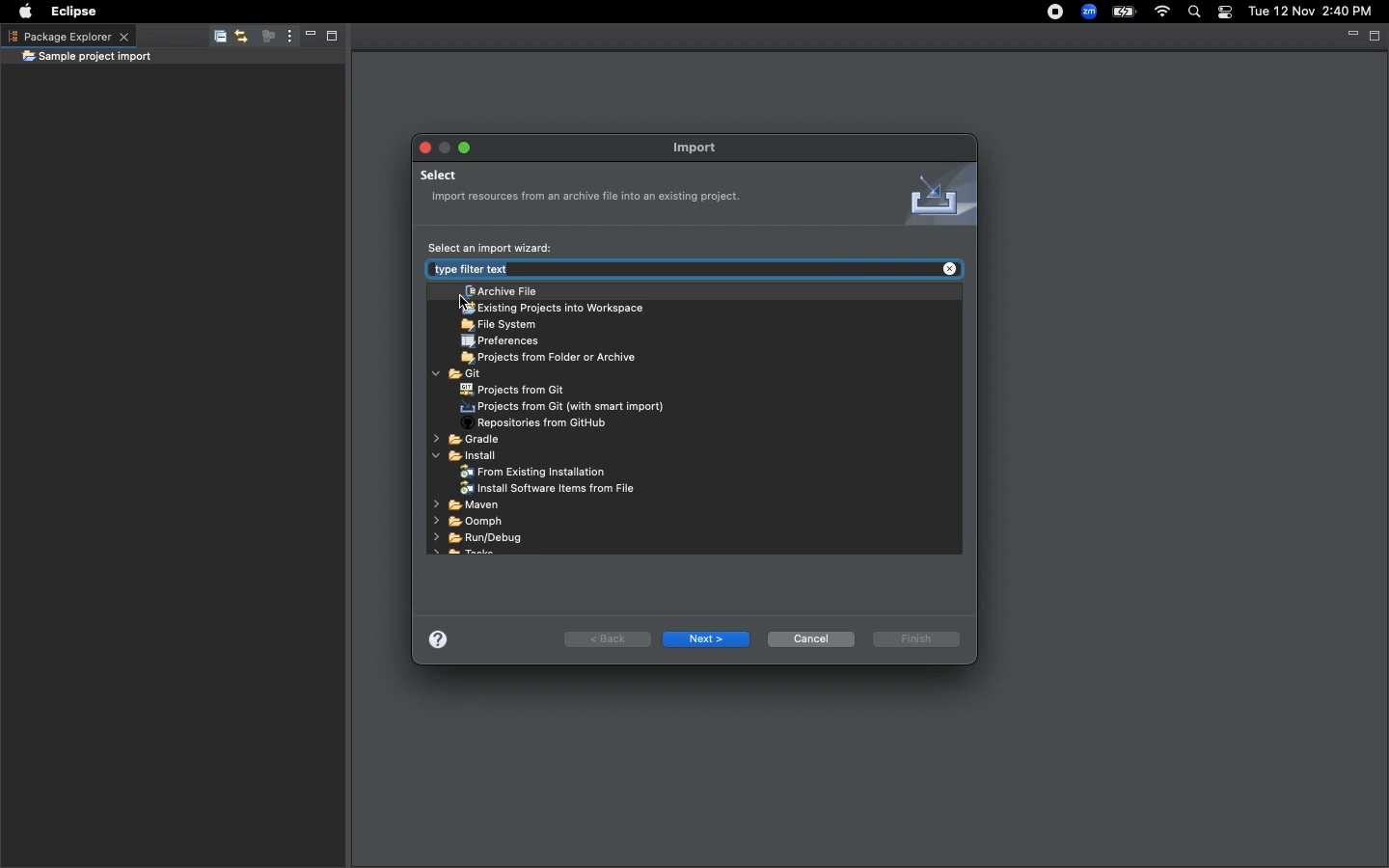 The height and width of the screenshot is (868, 1389). Describe the element at coordinates (704, 147) in the screenshot. I see `Import` at that location.